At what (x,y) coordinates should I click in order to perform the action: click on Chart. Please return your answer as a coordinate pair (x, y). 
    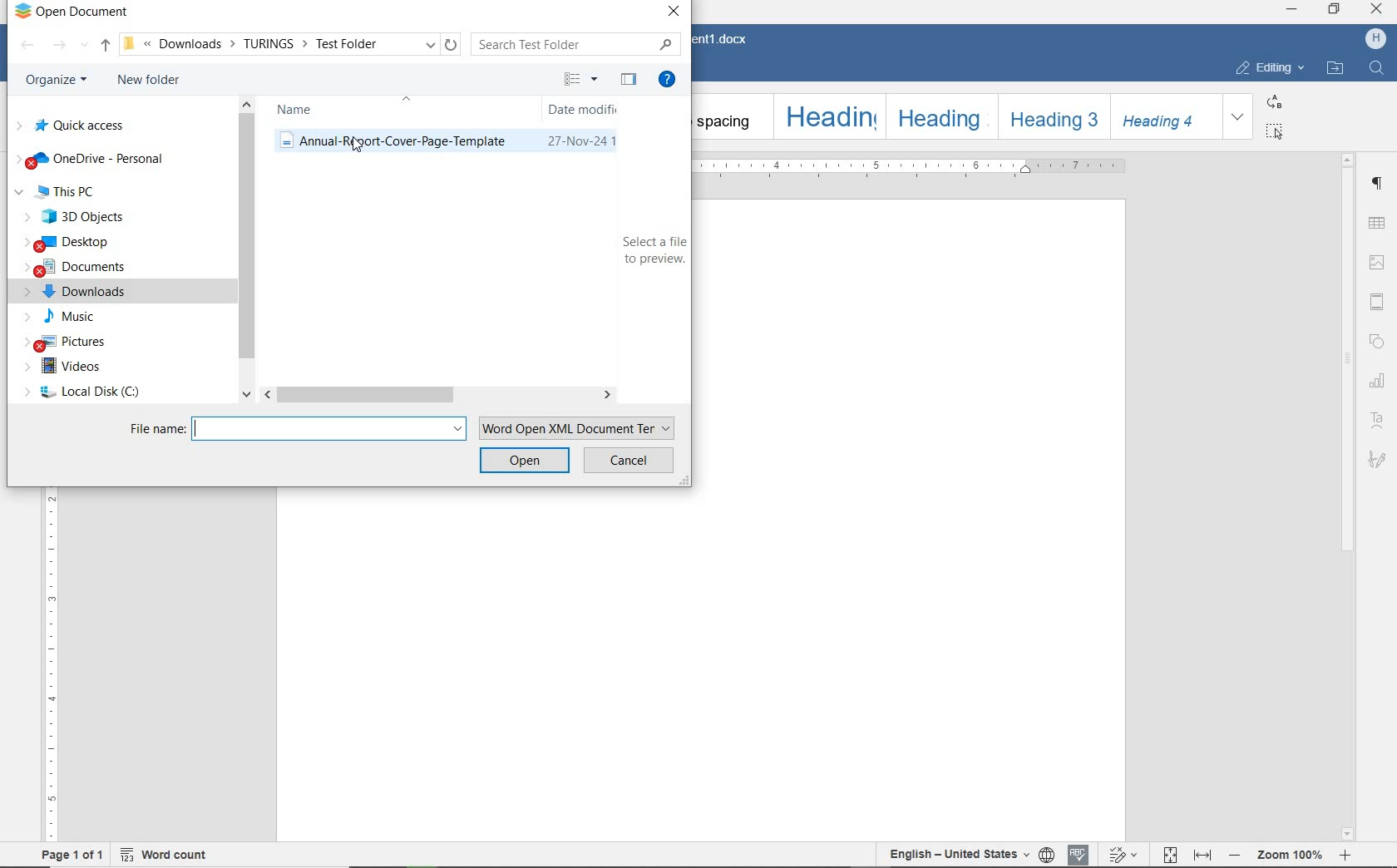
    Looking at the image, I should click on (1378, 382).